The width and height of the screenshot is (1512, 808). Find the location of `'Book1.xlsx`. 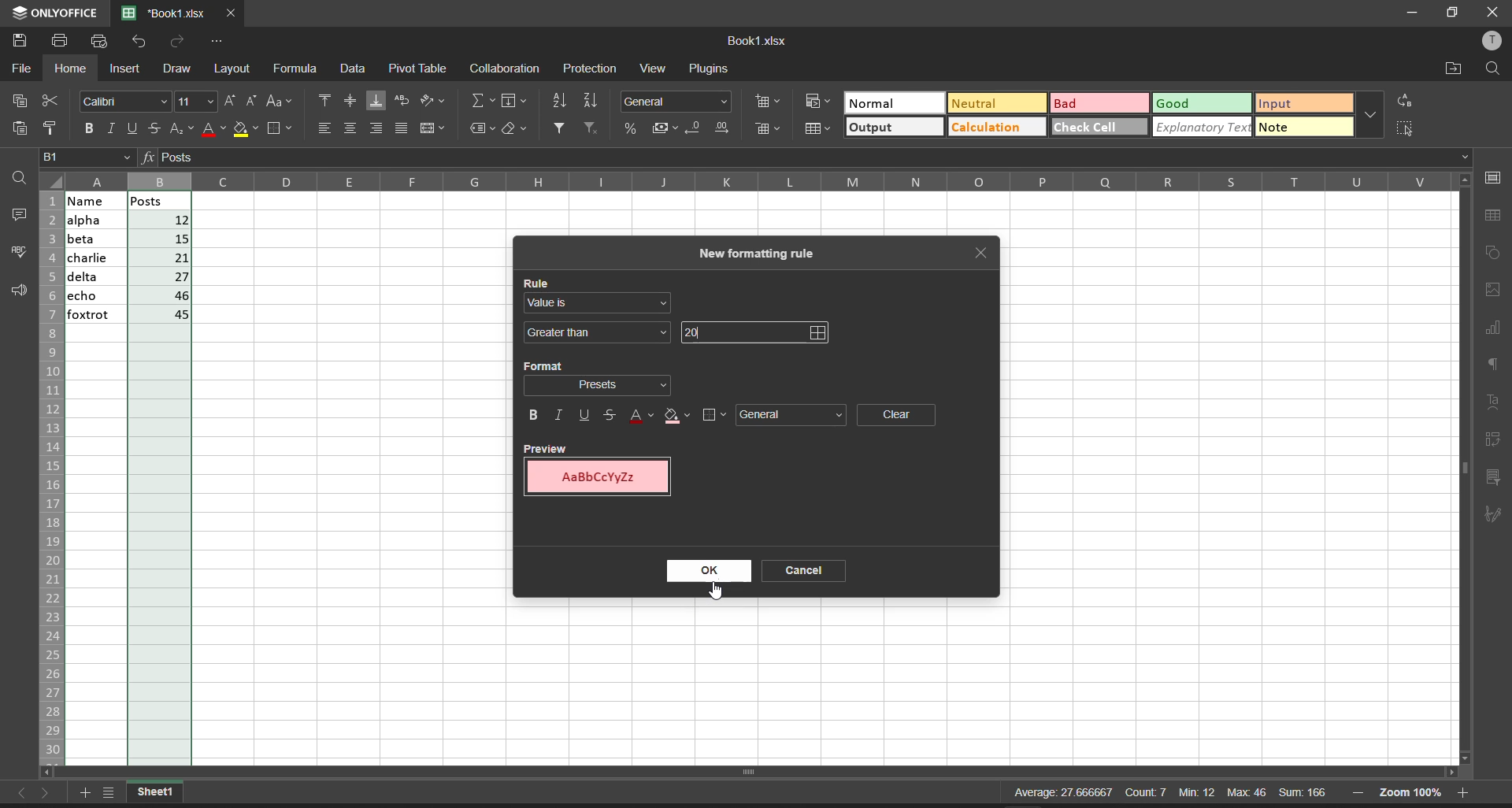

'Book1.xlsx is located at coordinates (161, 13).